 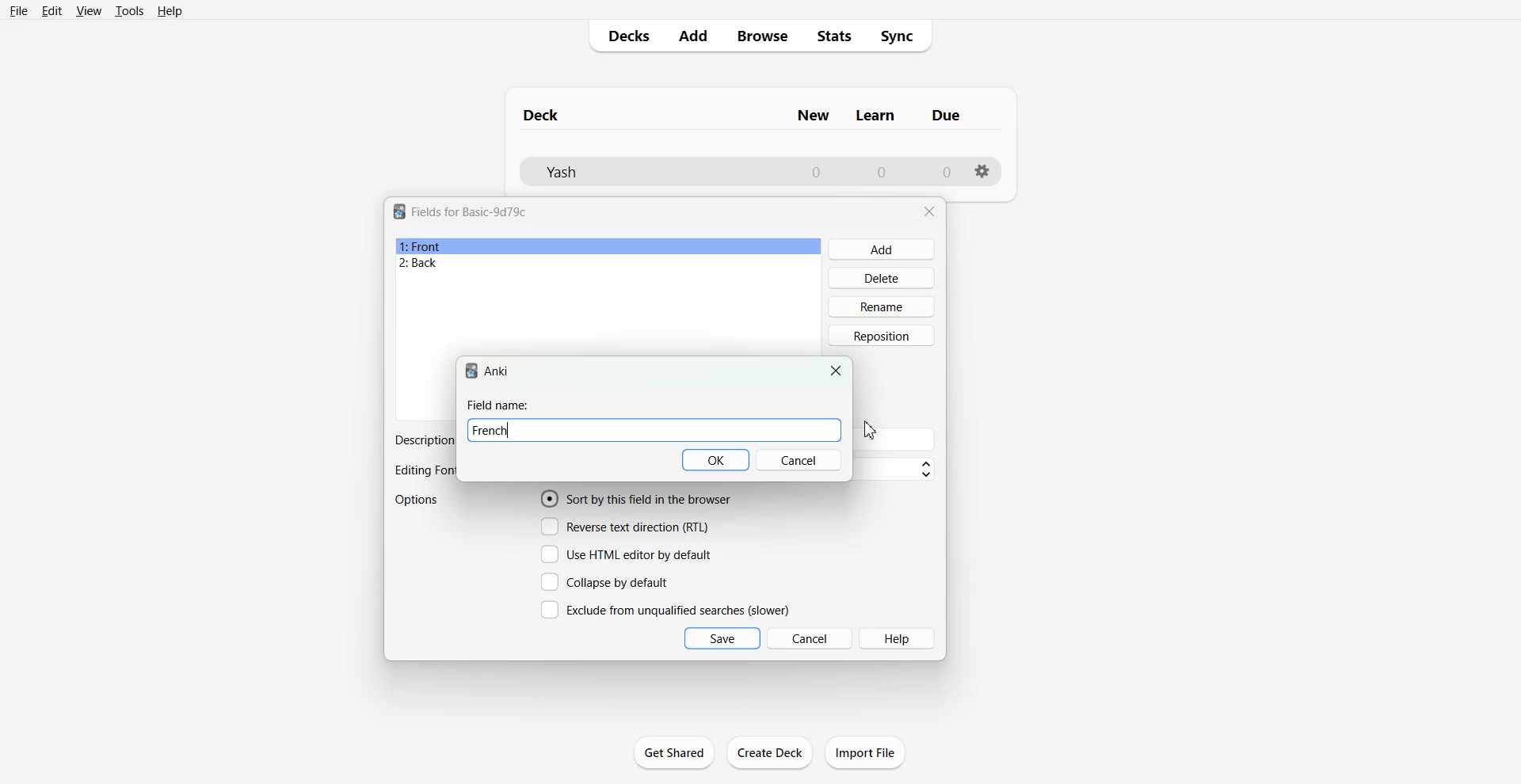 What do you see at coordinates (799, 460) in the screenshot?
I see `Cancel` at bounding box center [799, 460].